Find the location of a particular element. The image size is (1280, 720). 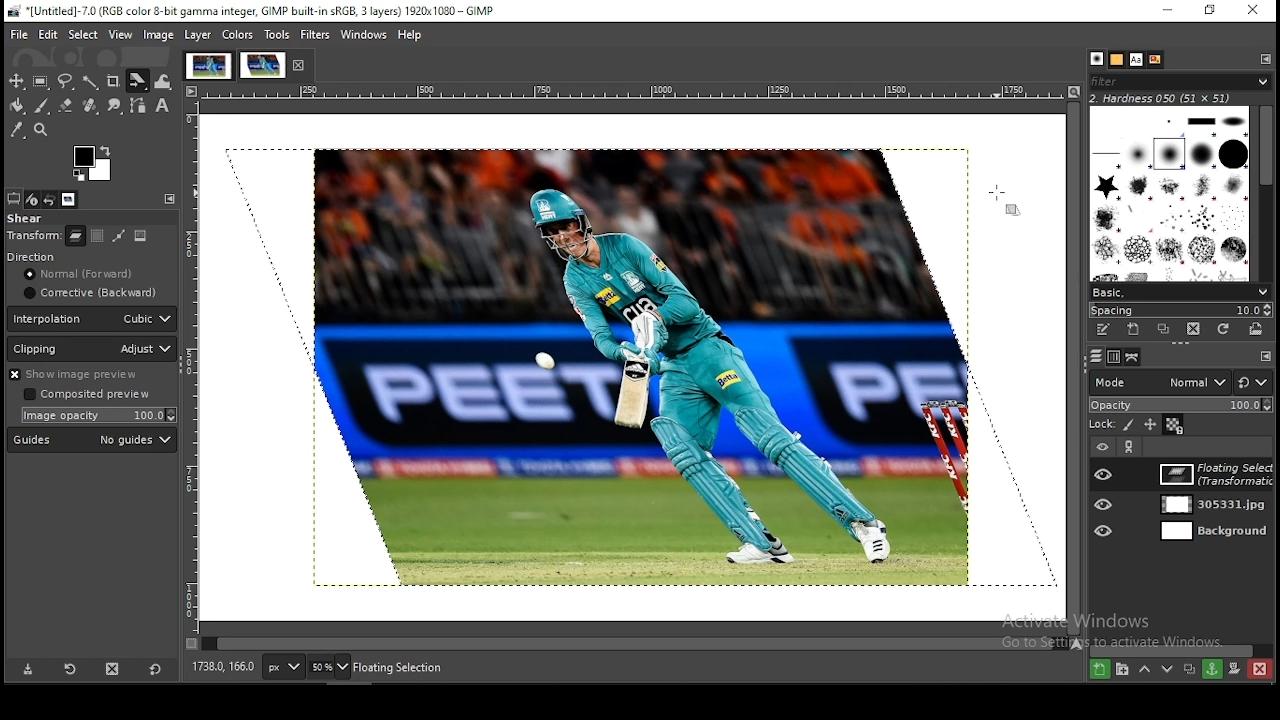

configure this tab is located at coordinates (1267, 59).